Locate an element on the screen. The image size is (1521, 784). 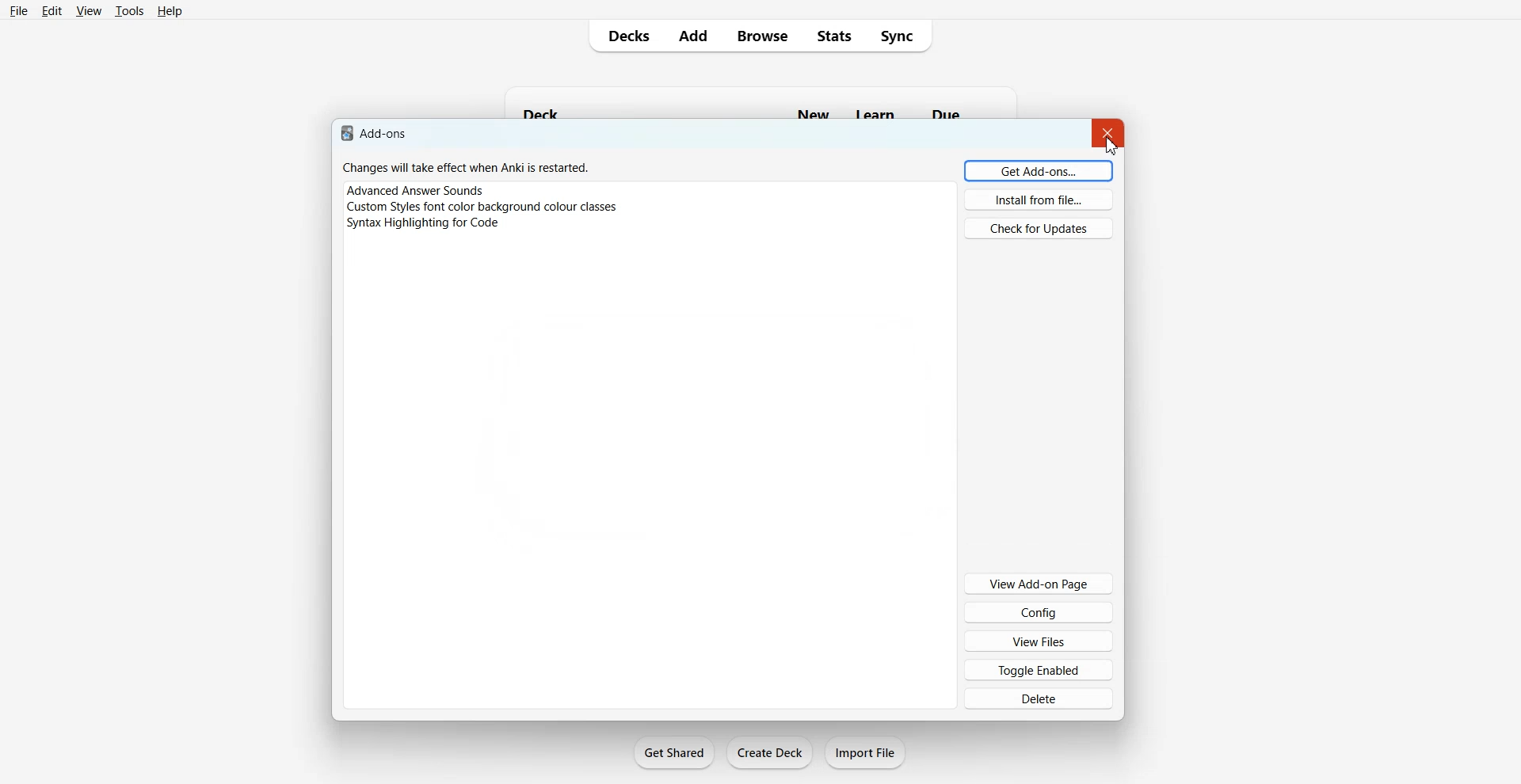
View Add-on Page is located at coordinates (1039, 583).